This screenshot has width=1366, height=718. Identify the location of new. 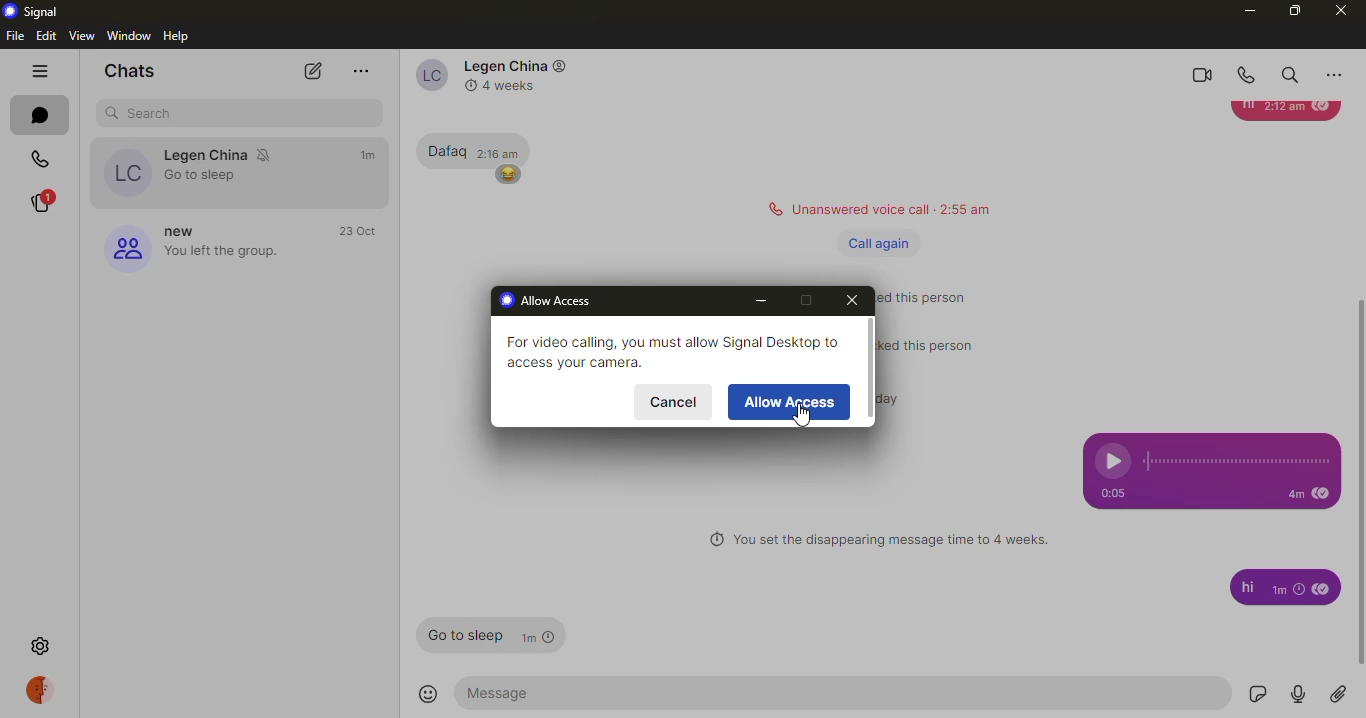
(179, 226).